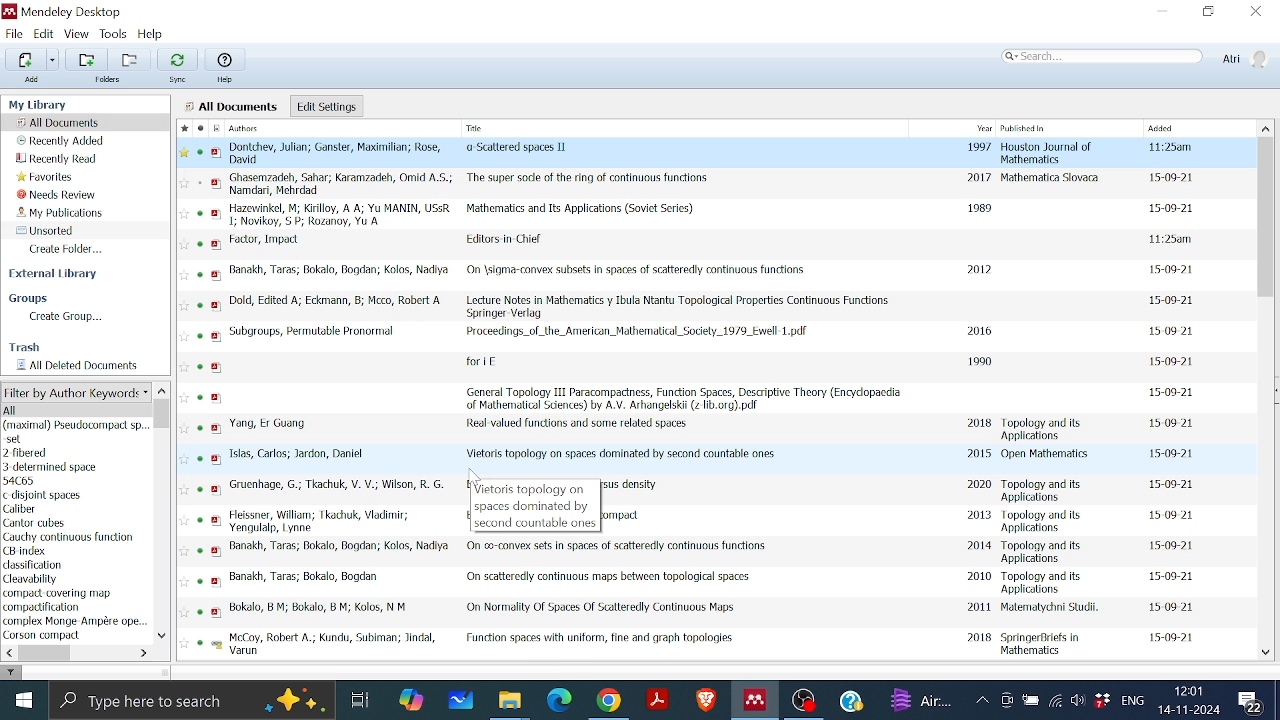 The width and height of the screenshot is (1280, 720). Describe the element at coordinates (680, 306) in the screenshot. I see `Title` at that location.